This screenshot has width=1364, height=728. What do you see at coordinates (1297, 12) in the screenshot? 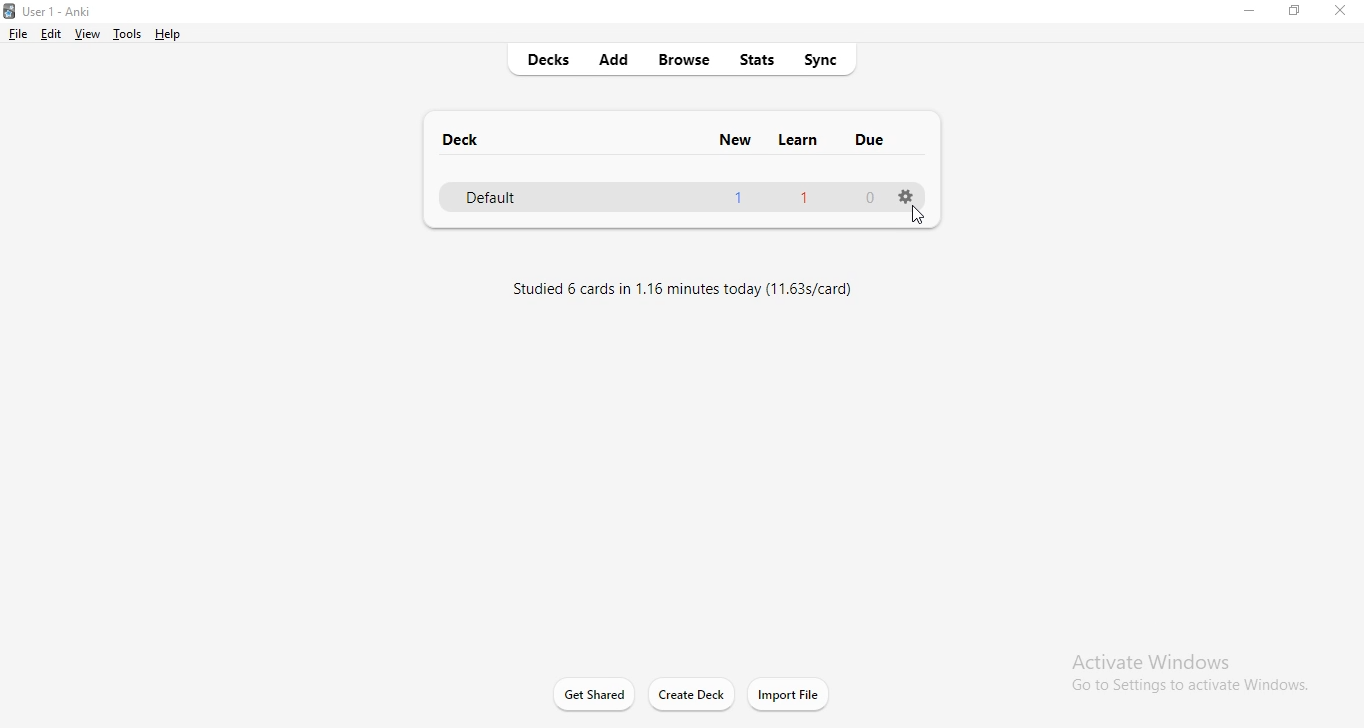
I see `restore` at bounding box center [1297, 12].